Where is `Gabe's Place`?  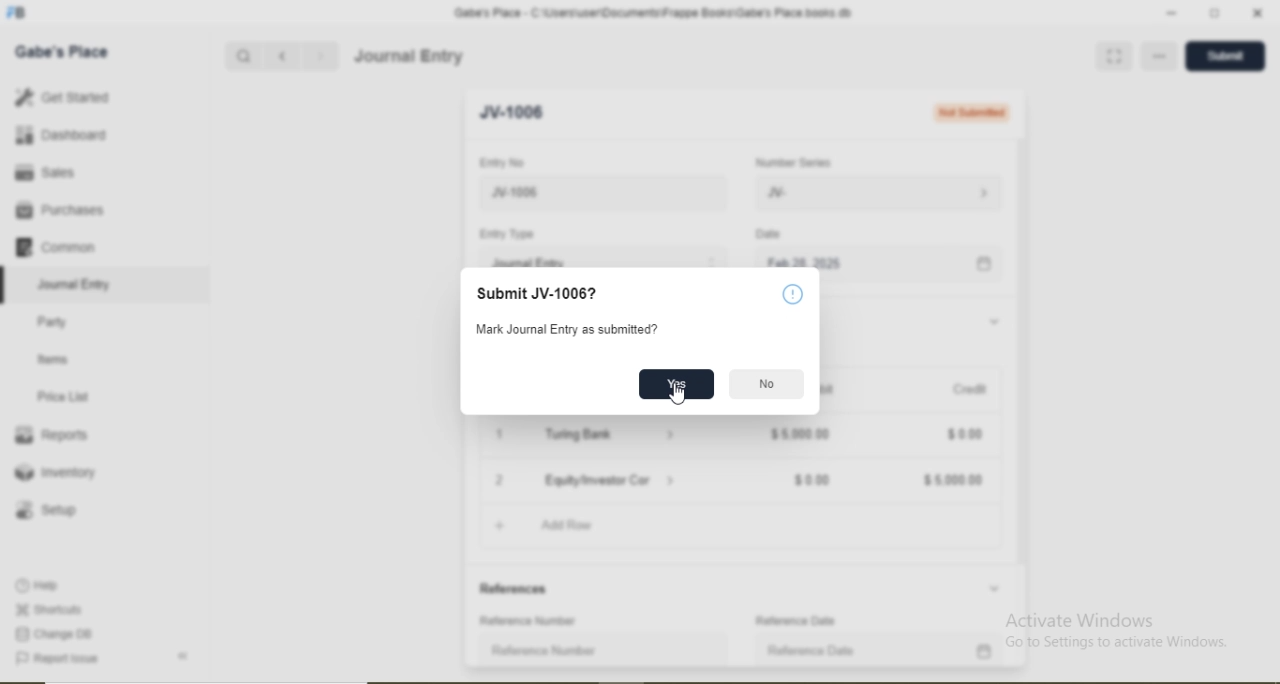
Gabe's Place is located at coordinates (62, 52).